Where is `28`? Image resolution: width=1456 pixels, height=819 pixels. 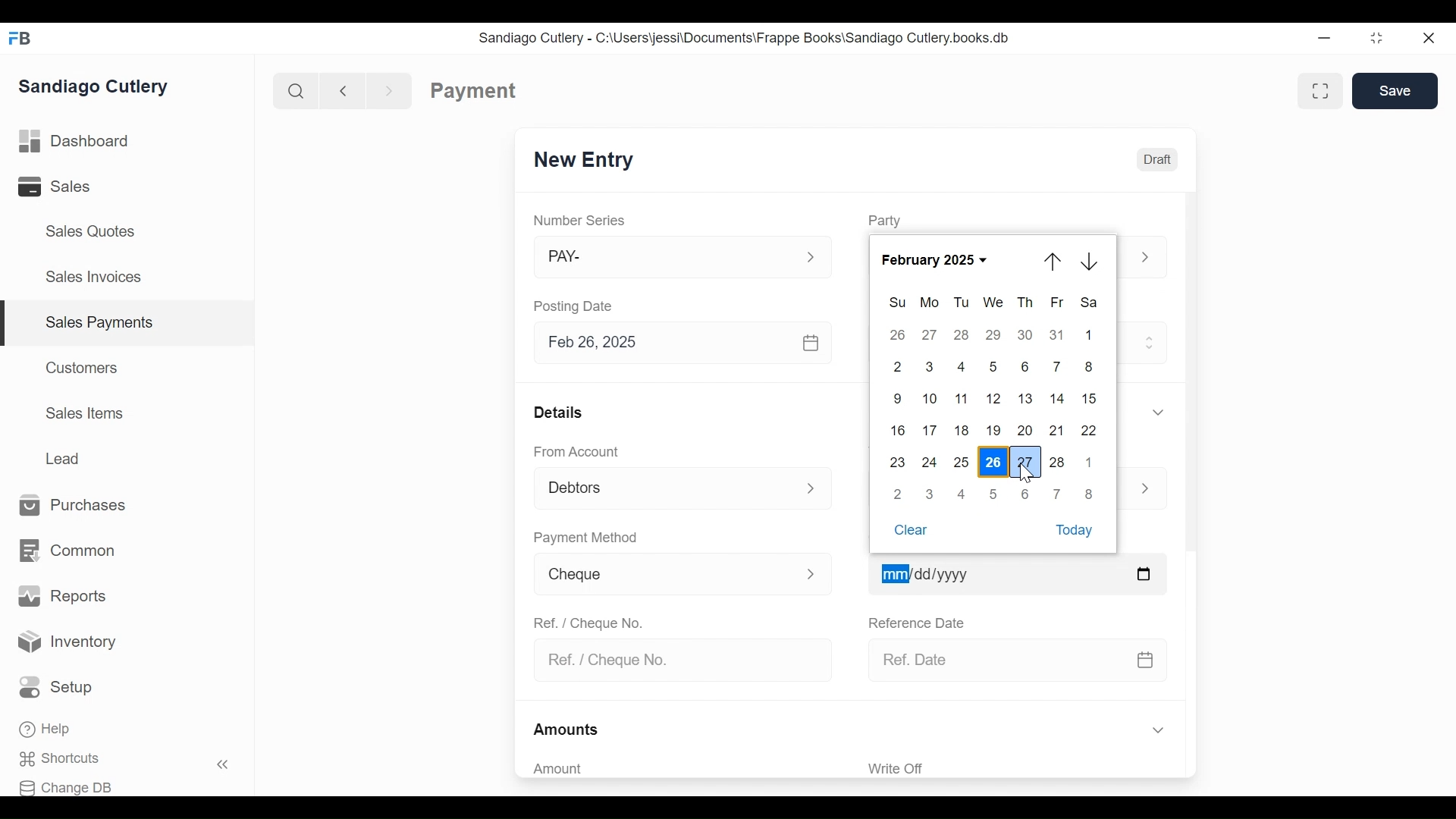 28 is located at coordinates (1058, 464).